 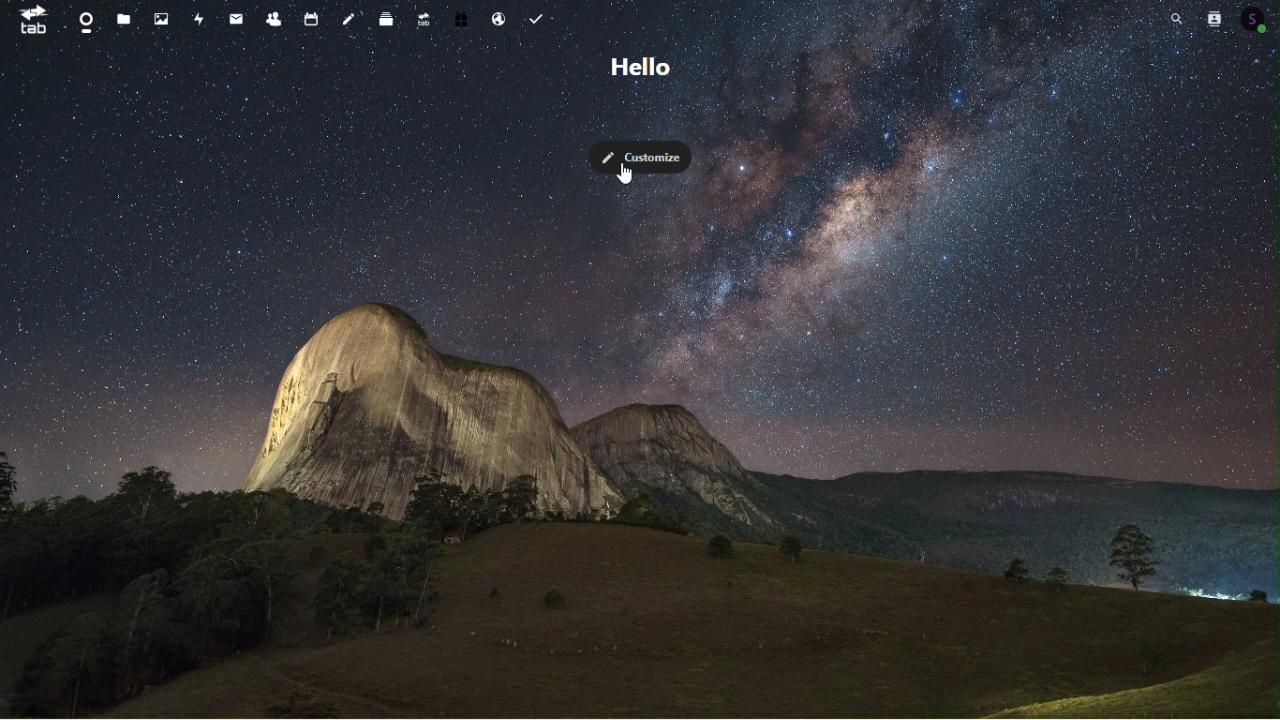 I want to click on tab, so click(x=34, y=22).